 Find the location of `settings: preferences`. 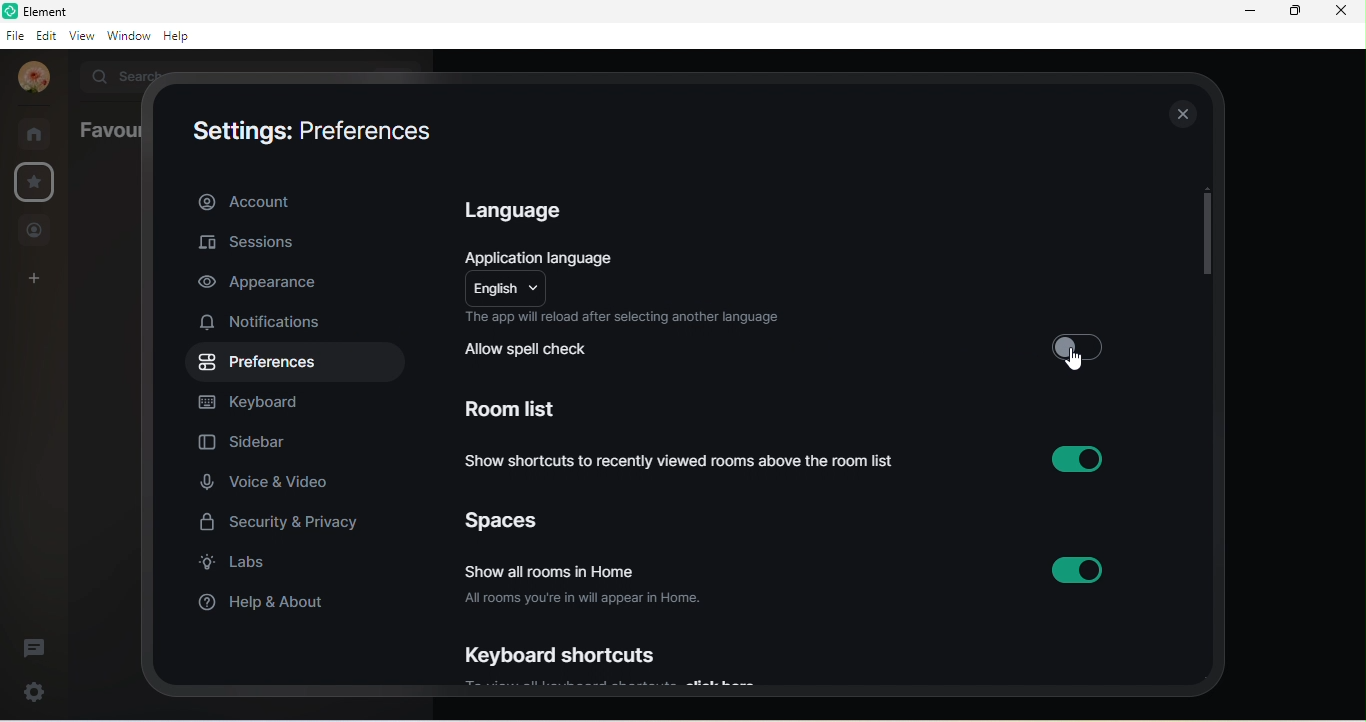

settings: preferences is located at coordinates (321, 138).